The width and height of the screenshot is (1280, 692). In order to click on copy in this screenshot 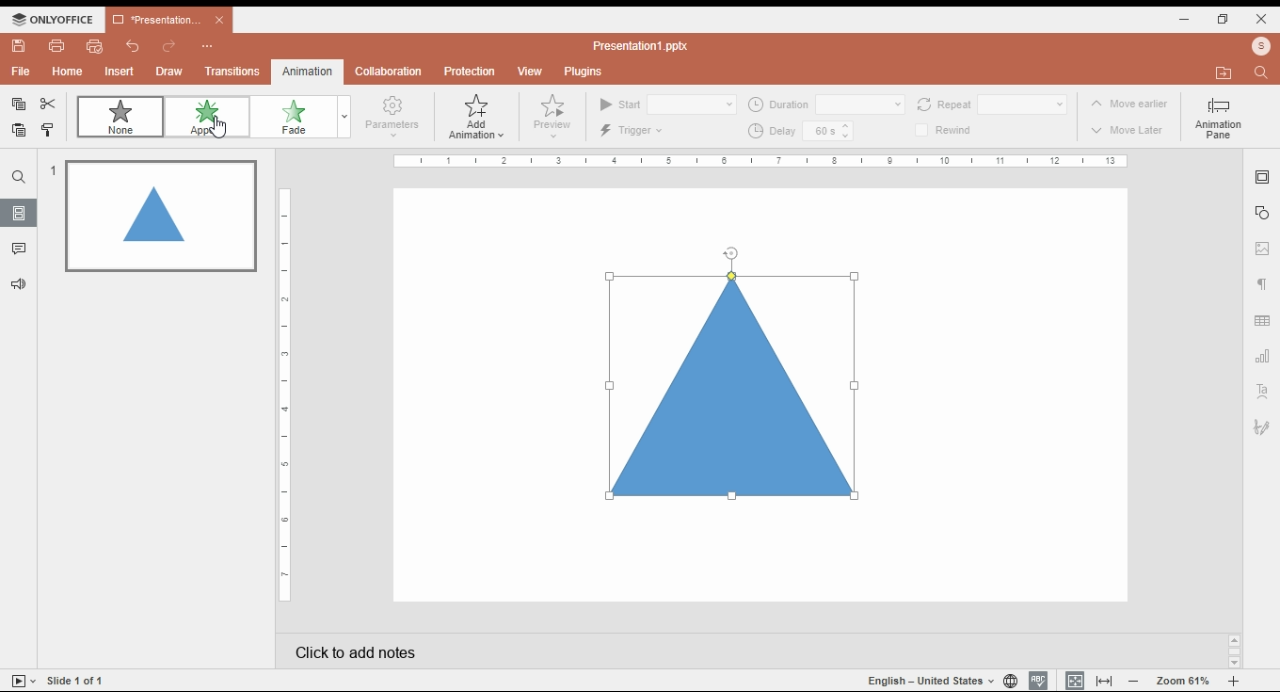, I will do `click(19, 104)`.